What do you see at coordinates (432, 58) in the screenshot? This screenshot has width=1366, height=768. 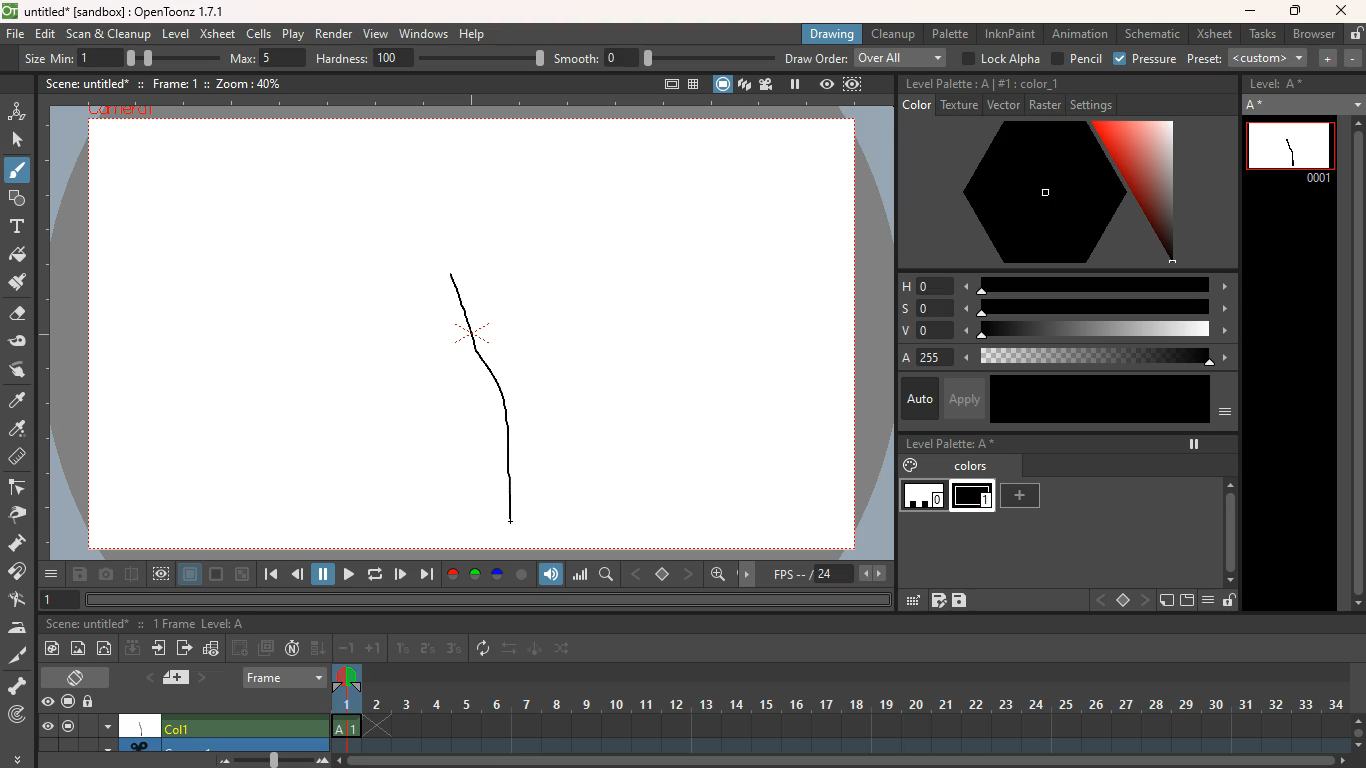 I see `hardness` at bounding box center [432, 58].